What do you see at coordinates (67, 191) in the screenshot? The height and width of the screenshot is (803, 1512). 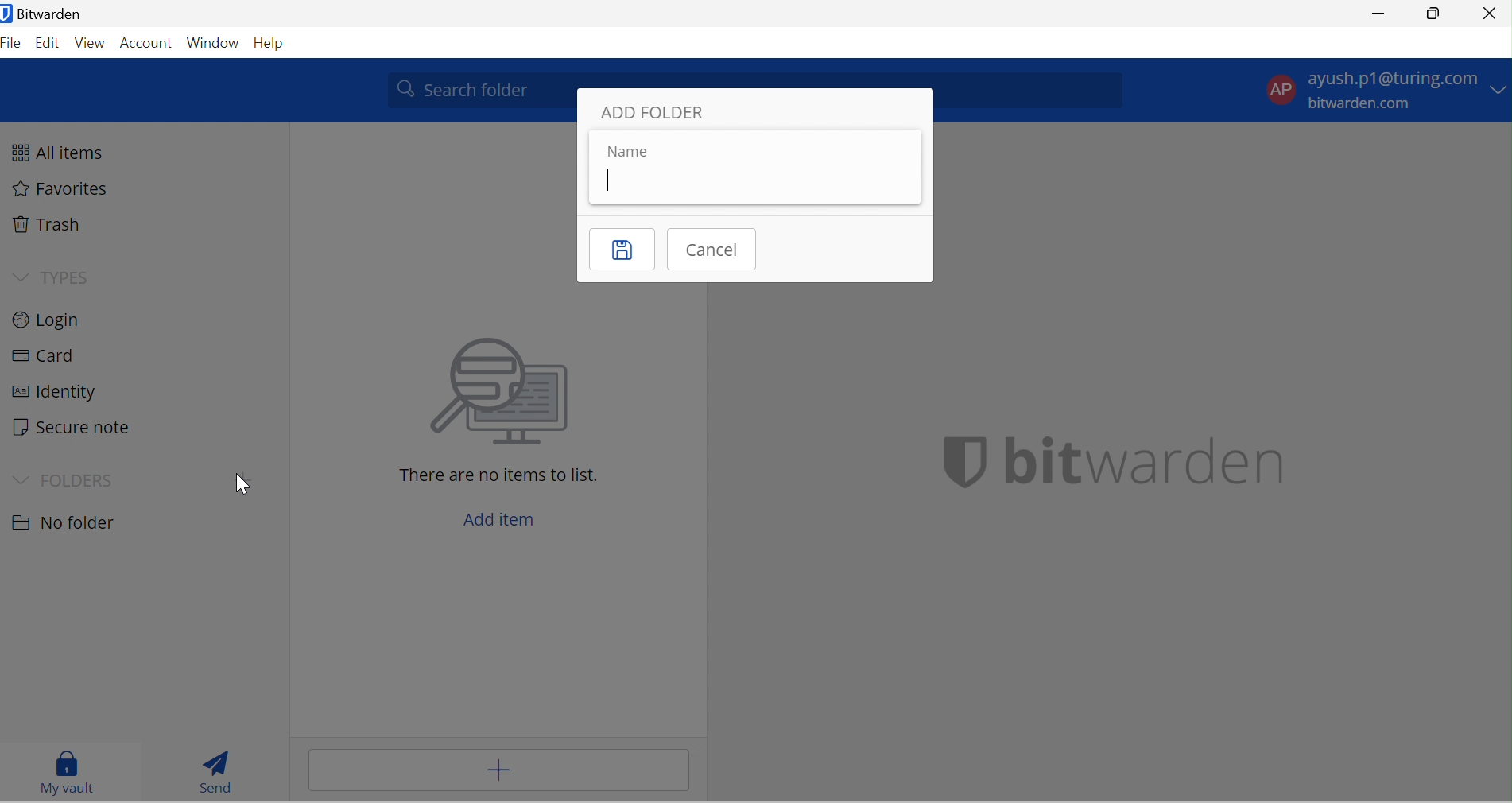 I see `Favorites` at bounding box center [67, 191].